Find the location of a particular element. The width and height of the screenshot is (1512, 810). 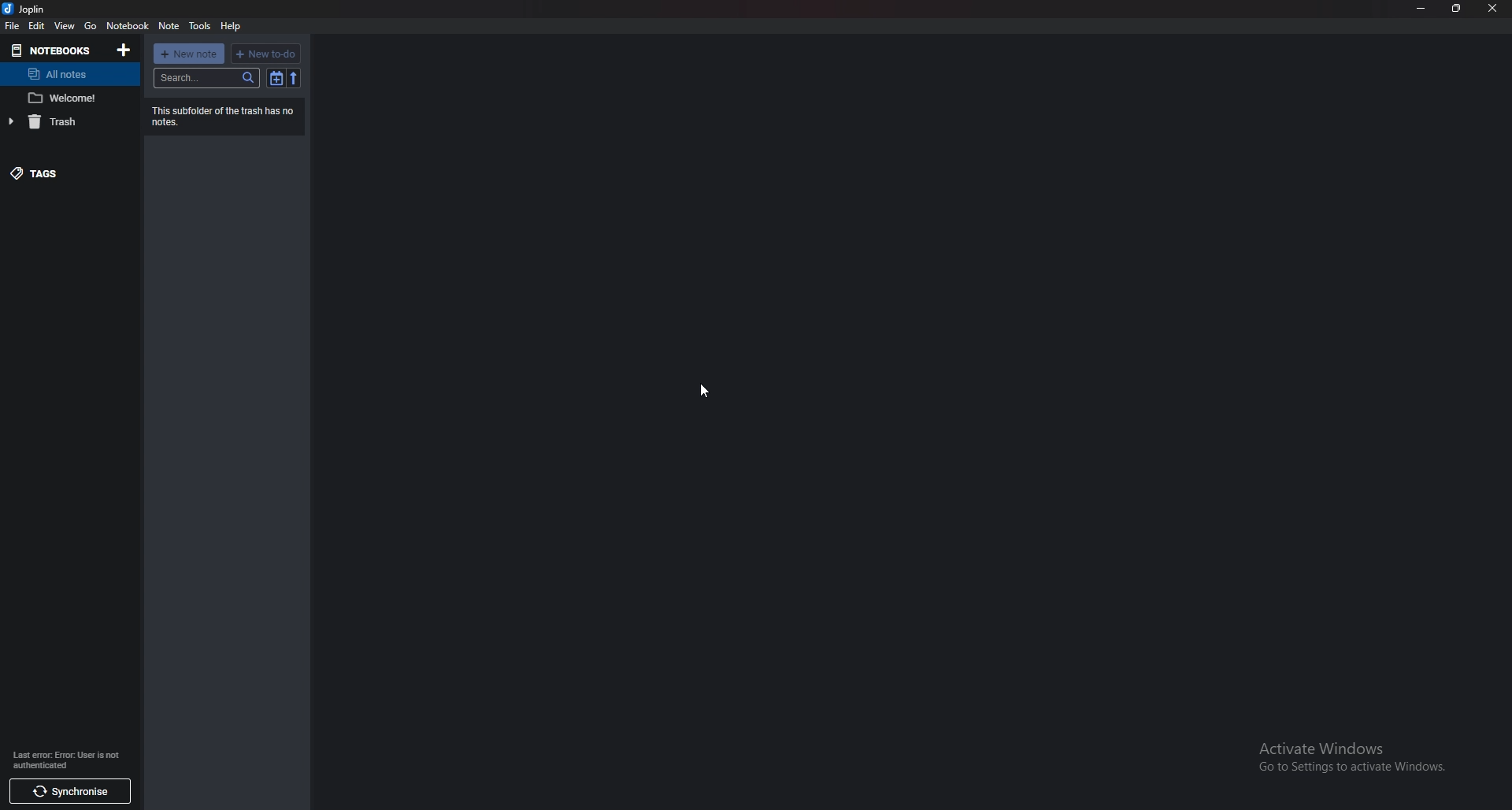

New to do is located at coordinates (265, 54).